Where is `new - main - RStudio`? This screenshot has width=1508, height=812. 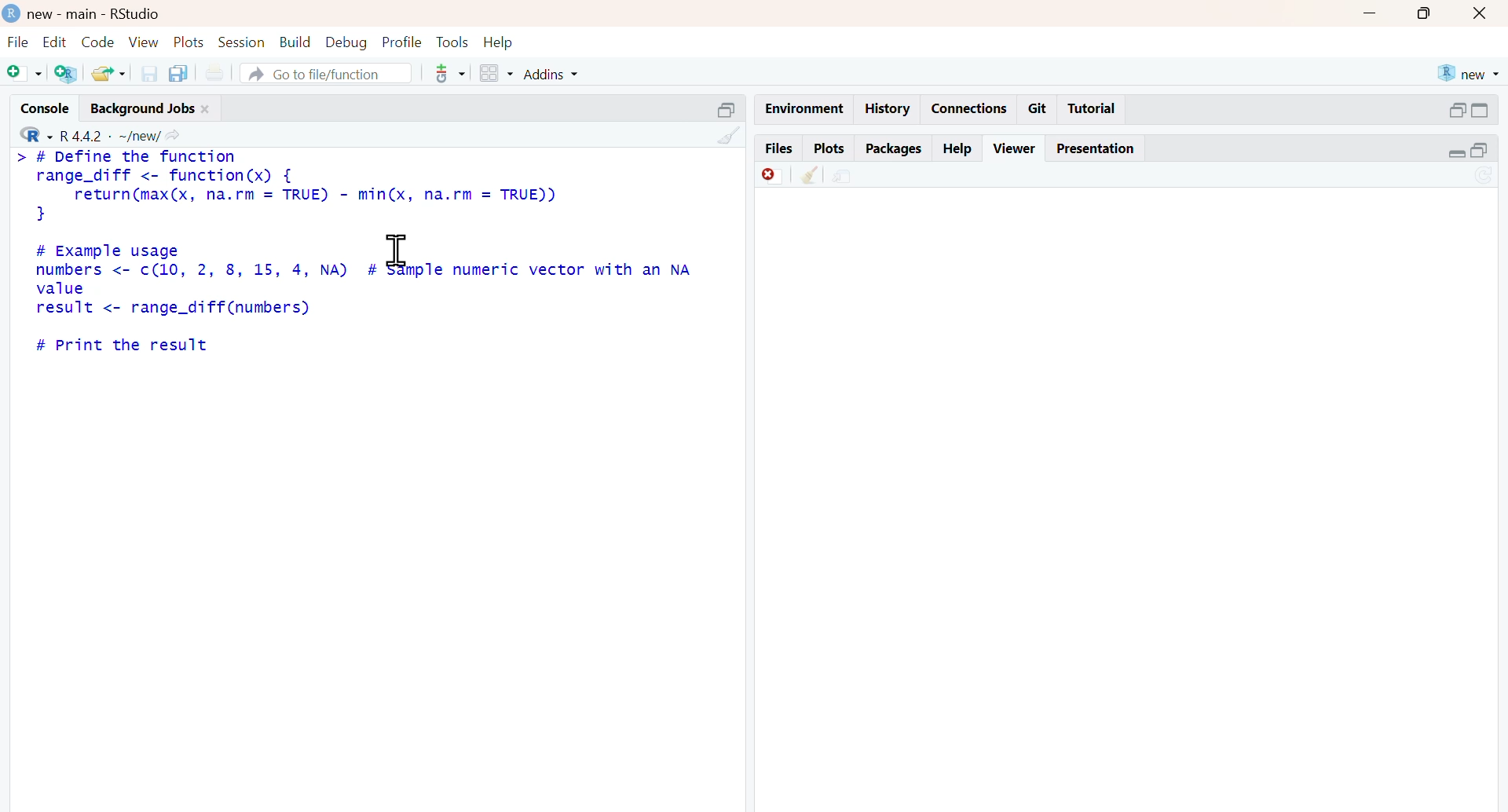
new - main - RStudio is located at coordinates (96, 16).